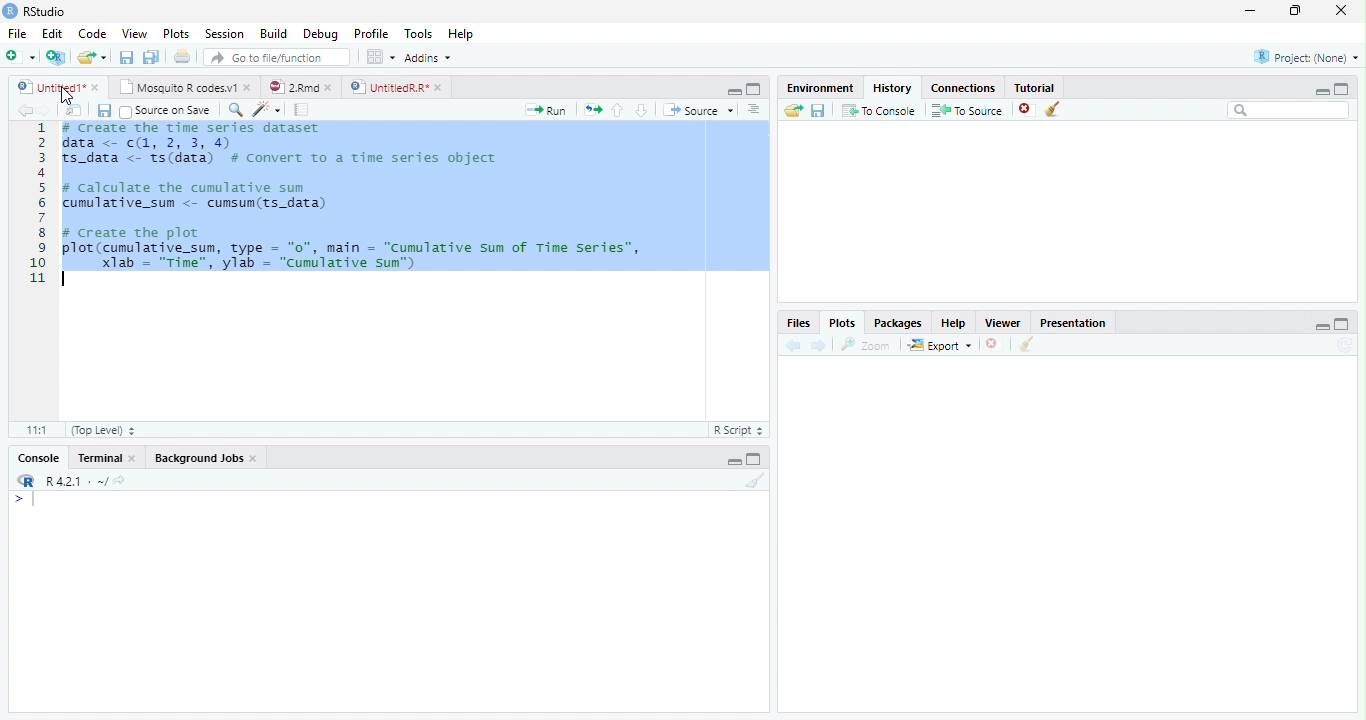 The height and width of the screenshot is (720, 1366). I want to click on Files, so click(592, 110).